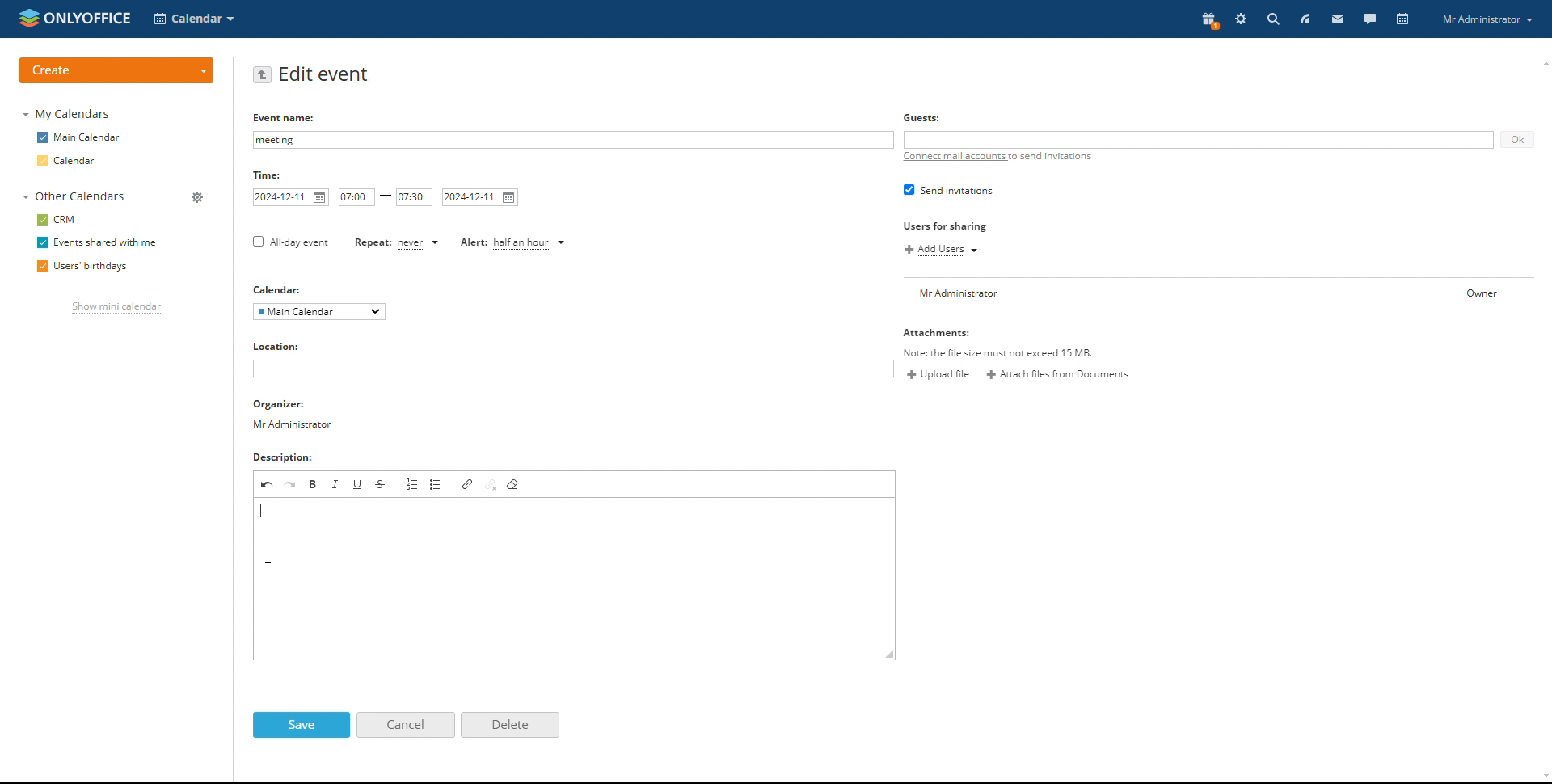  What do you see at coordinates (324, 75) in the screenshot?
I see `edit event` at bounding box center [324, 75].